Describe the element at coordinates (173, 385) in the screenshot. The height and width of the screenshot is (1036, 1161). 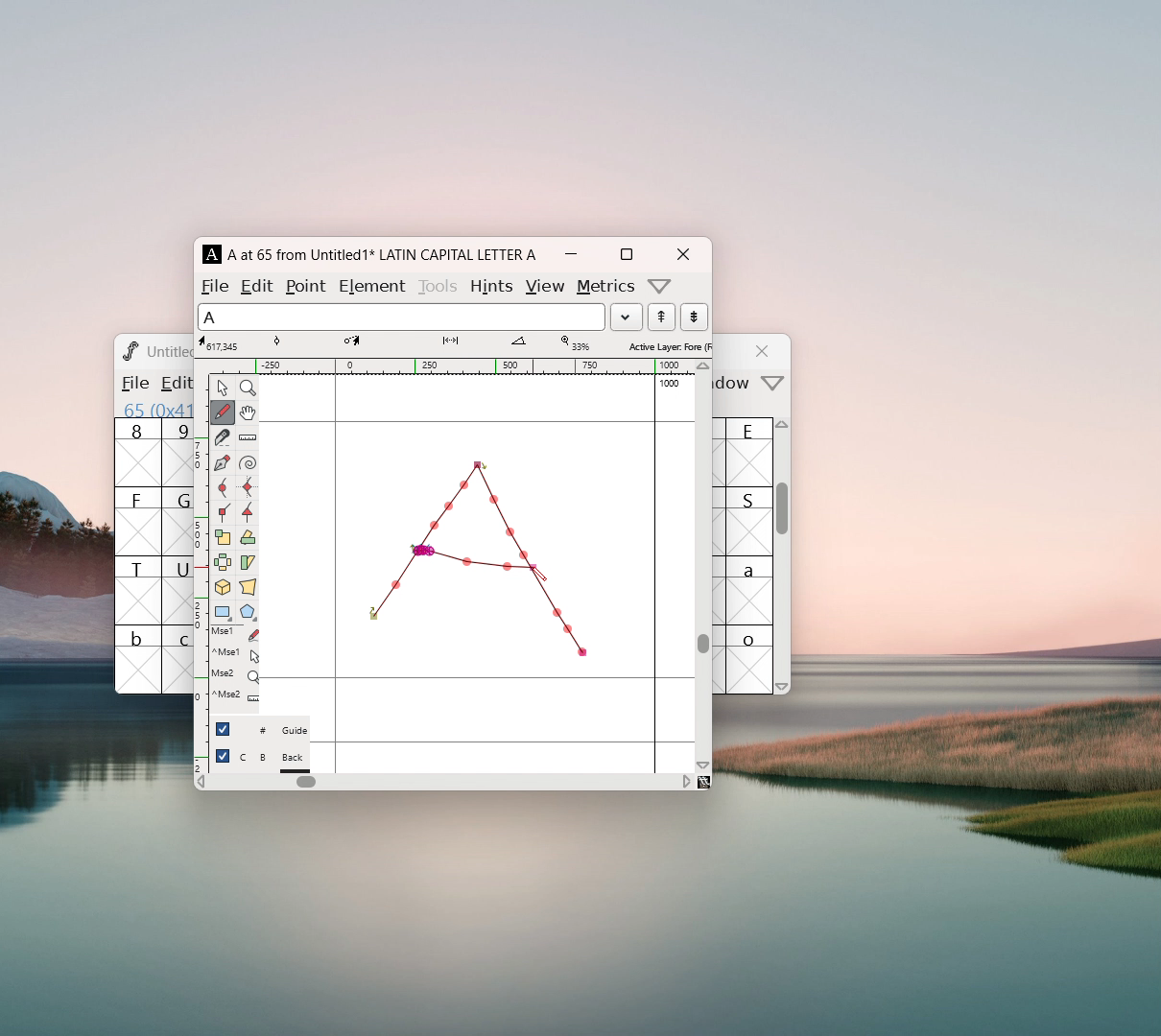
I see `` at that location.